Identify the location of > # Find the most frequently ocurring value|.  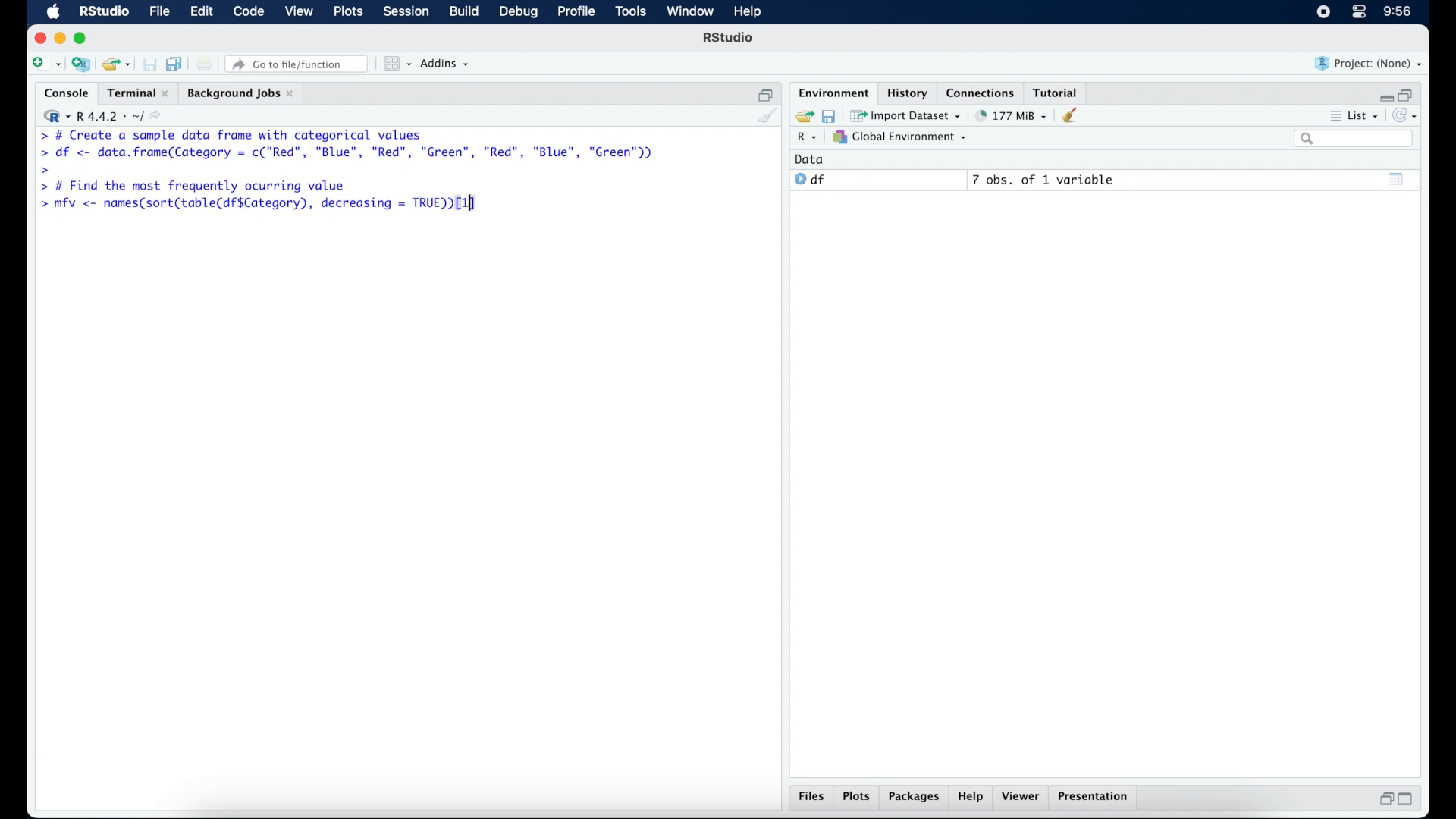
(202, 187).